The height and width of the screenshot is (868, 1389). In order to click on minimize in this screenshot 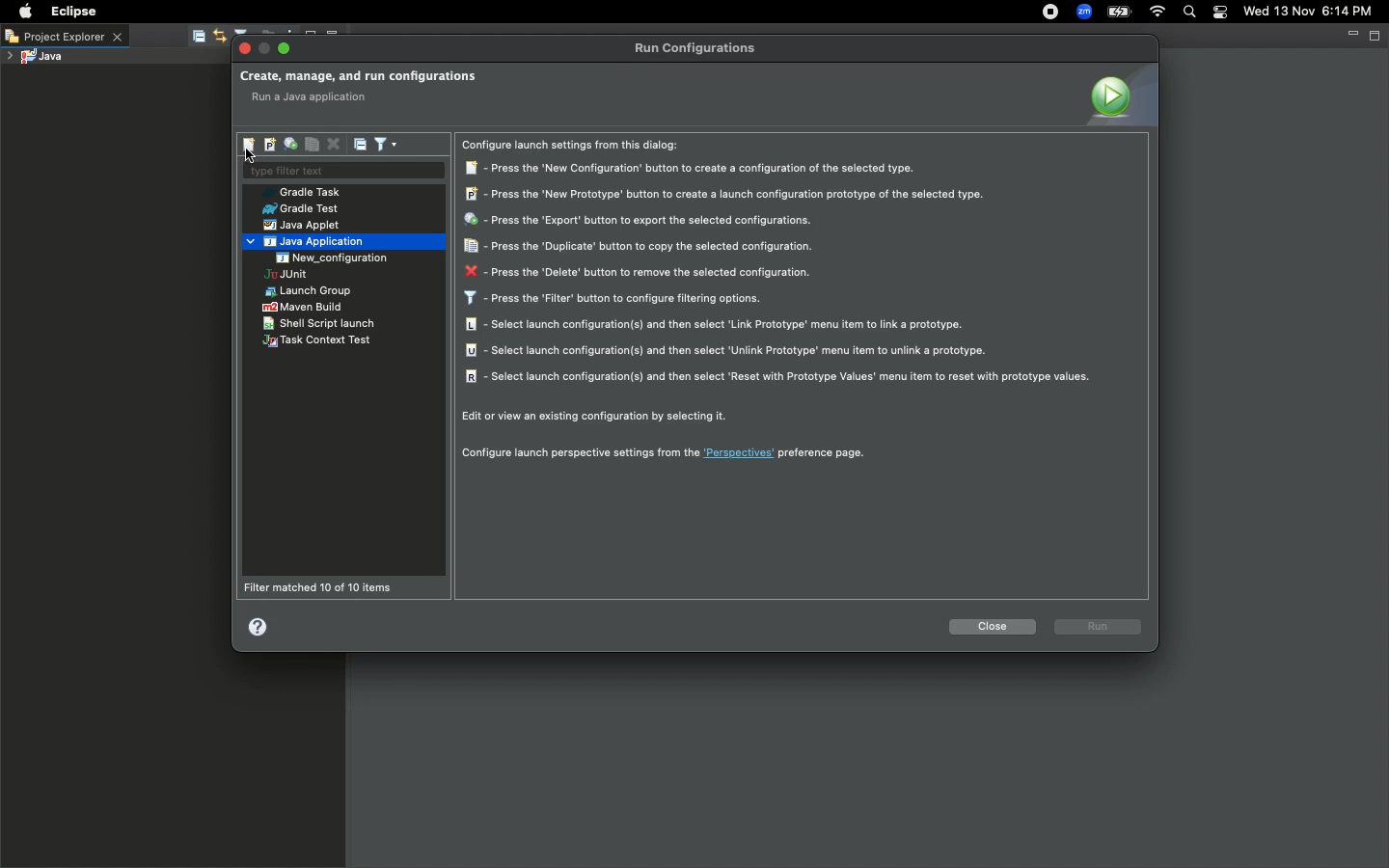, I will do `click(265, 49)`.